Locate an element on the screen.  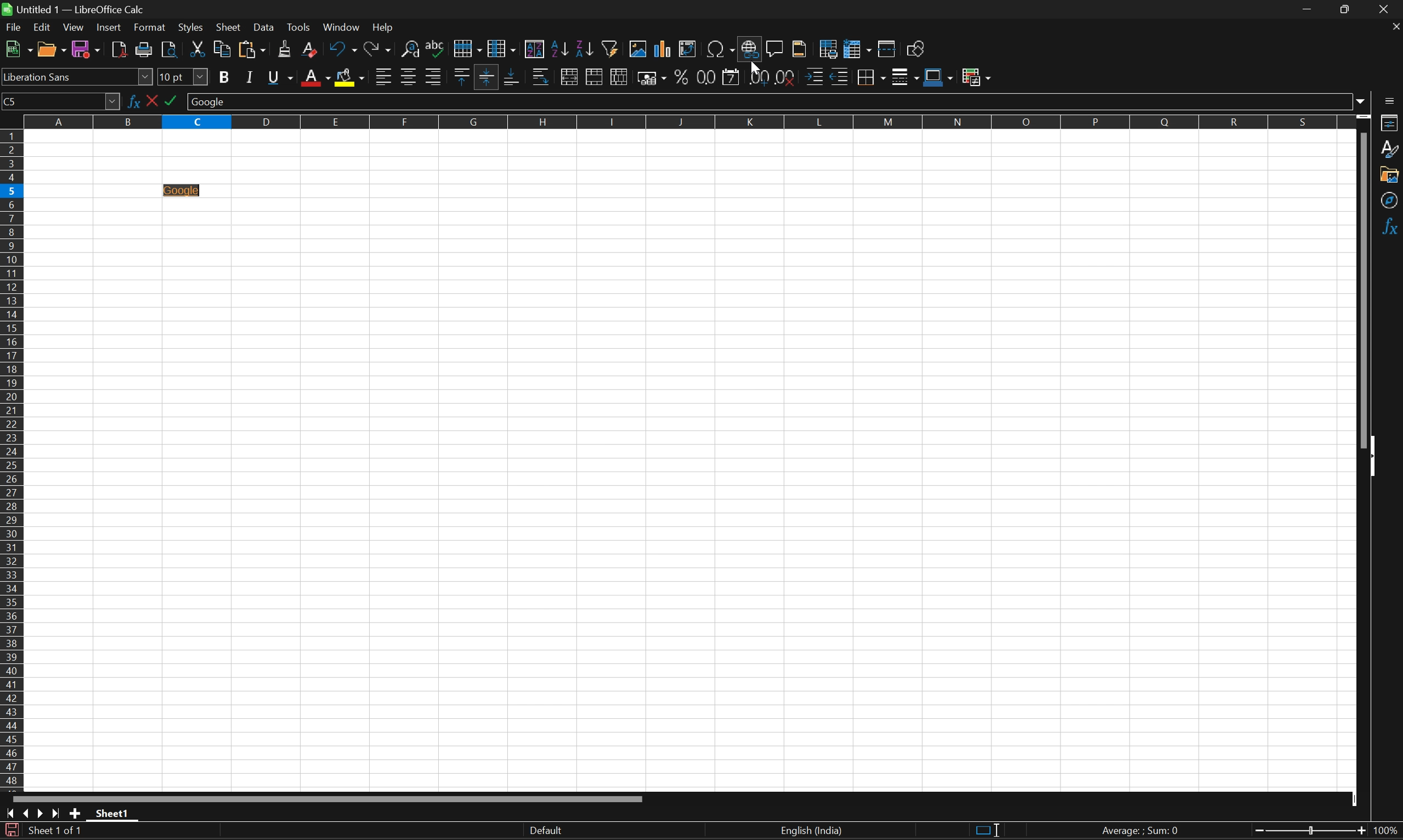
Borders is located at coordinates (871, 77).